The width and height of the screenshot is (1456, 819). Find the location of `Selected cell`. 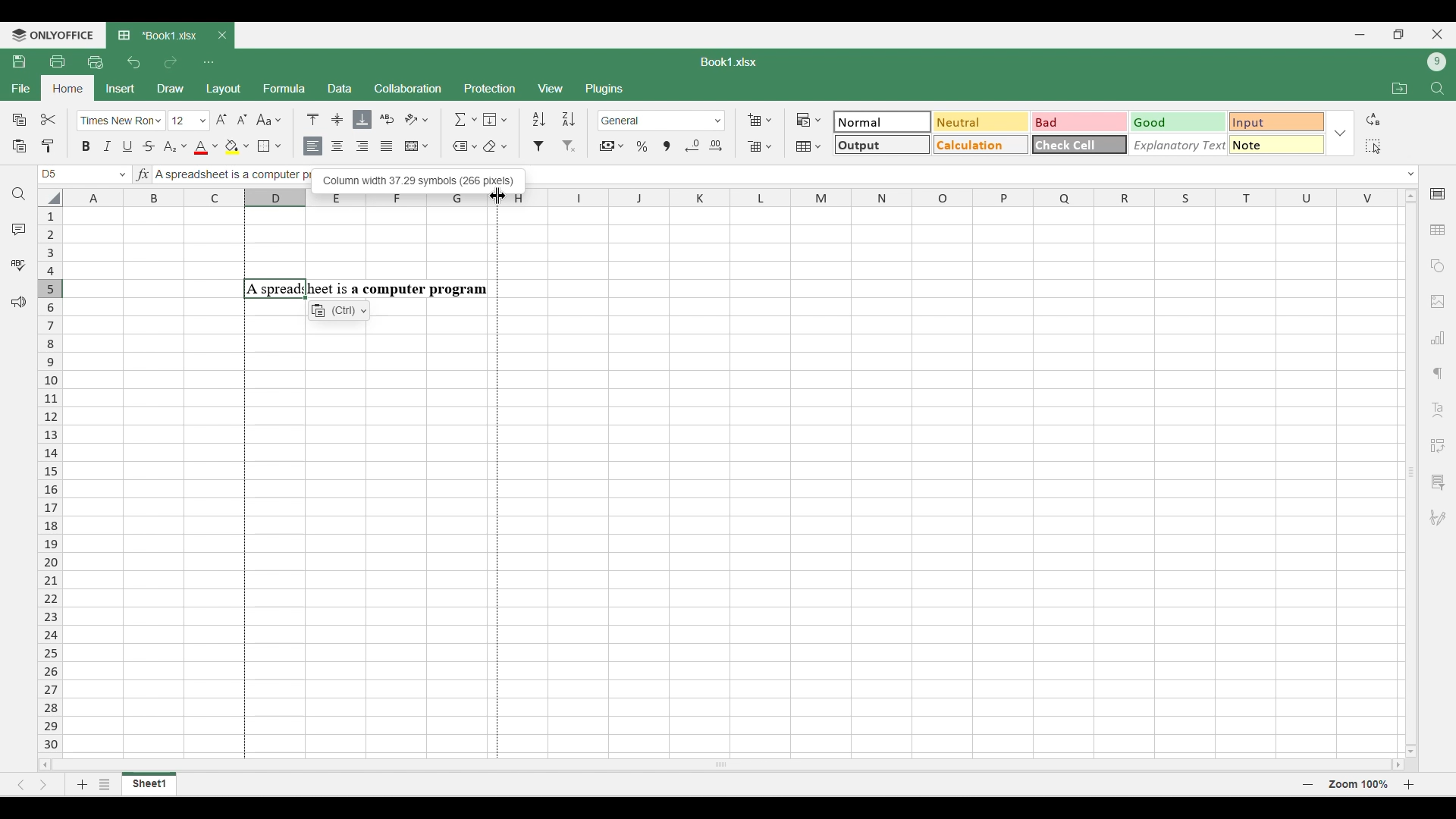

Selected cell is located at coordinates (49, 174).